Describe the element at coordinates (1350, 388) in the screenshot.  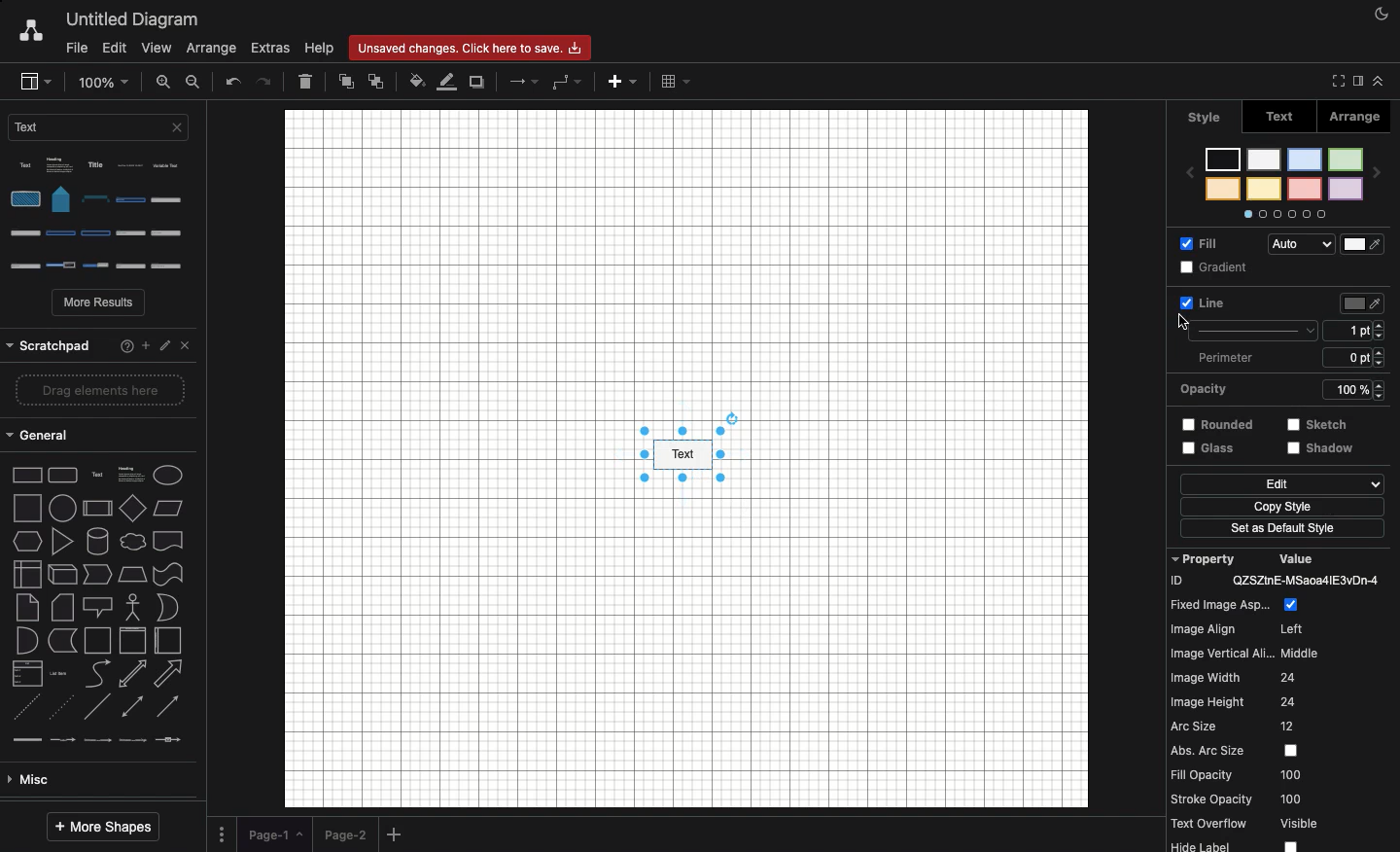
I see `strestch` at that location.